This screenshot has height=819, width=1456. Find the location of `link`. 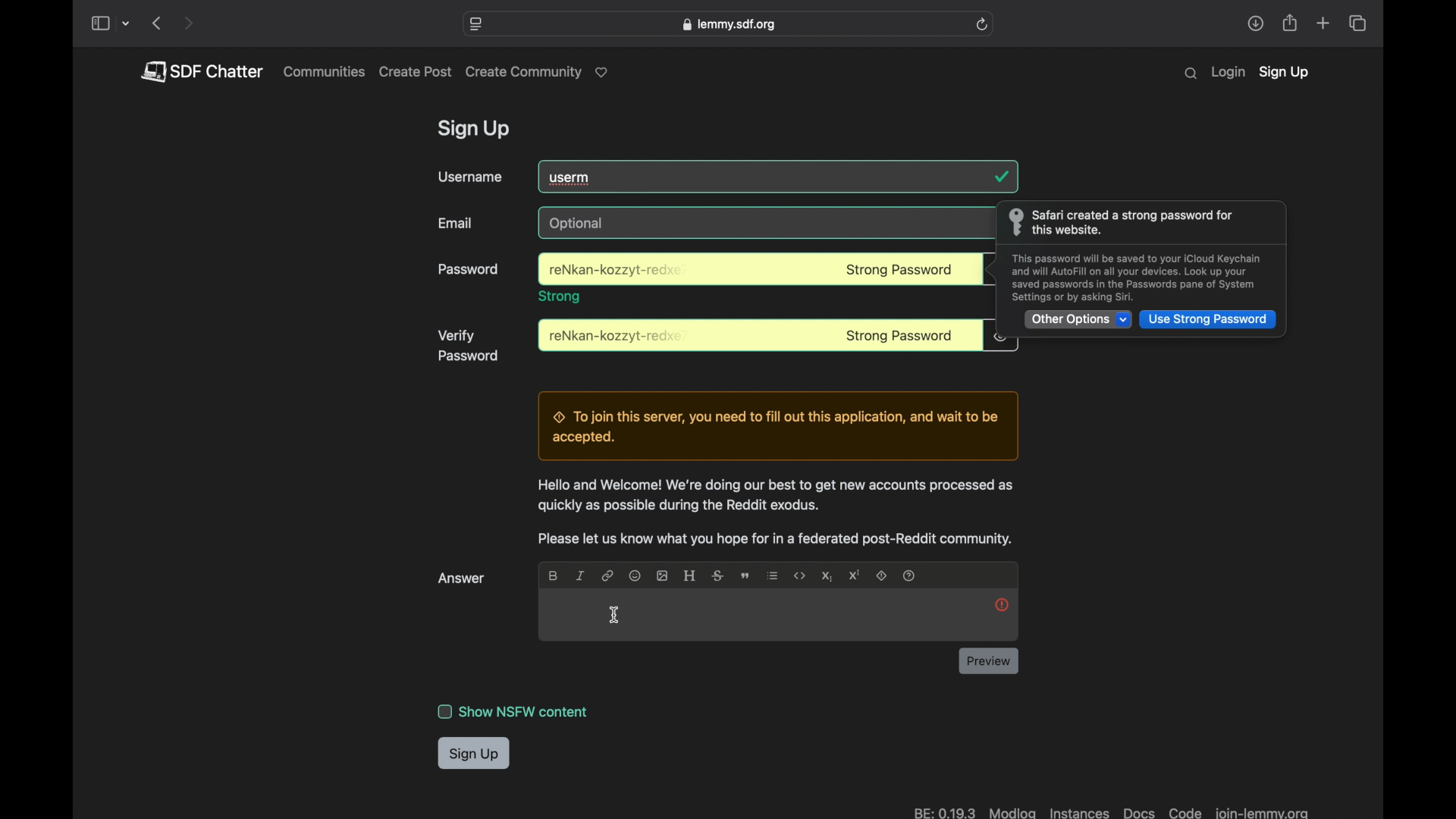

link is located at coordinates (608, 576).